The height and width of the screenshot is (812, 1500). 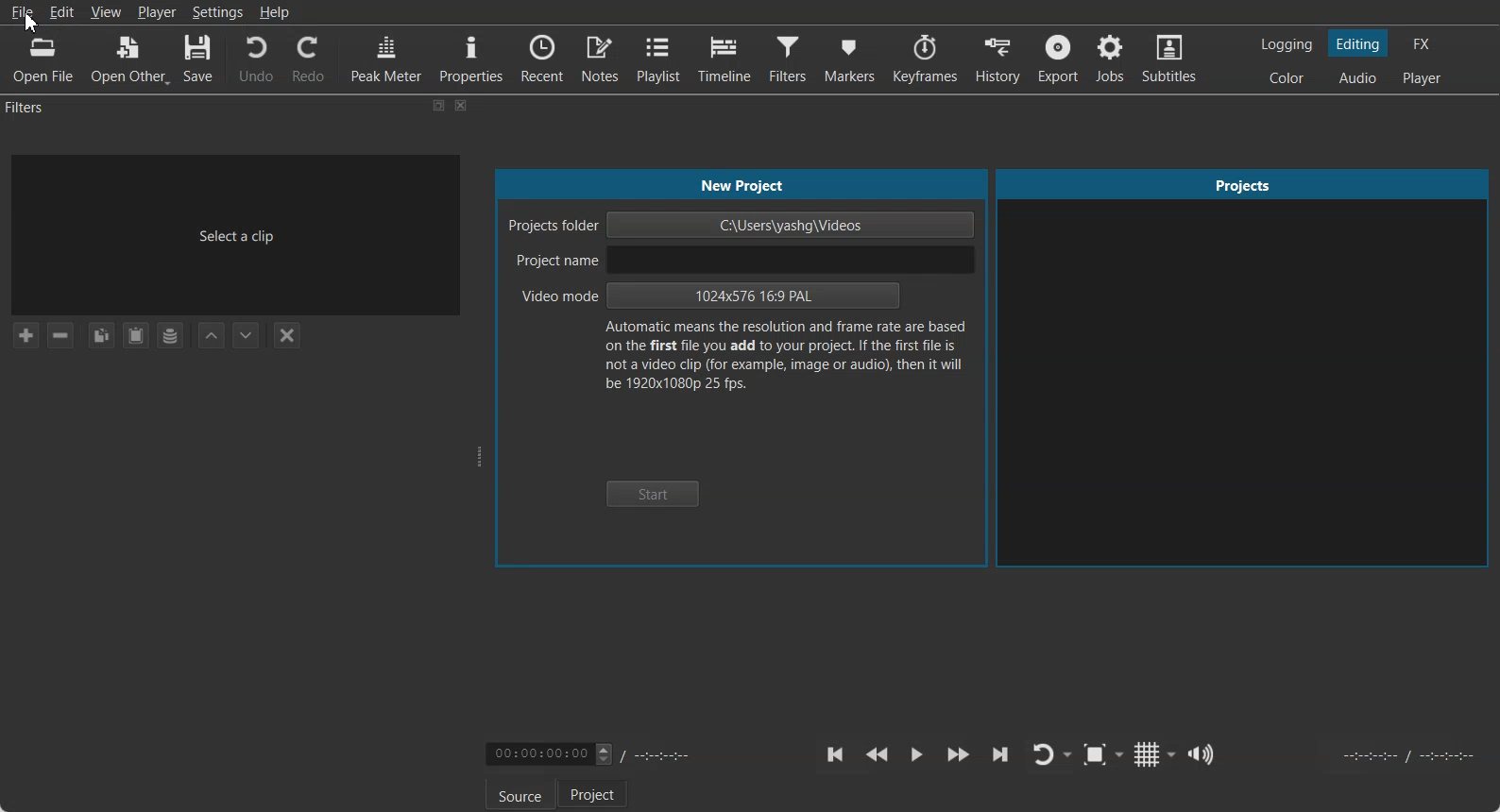 What do you see at coordinates (136, 335) in the screenshot?
I see `Paste Filter` at bounding box center [136, 335].